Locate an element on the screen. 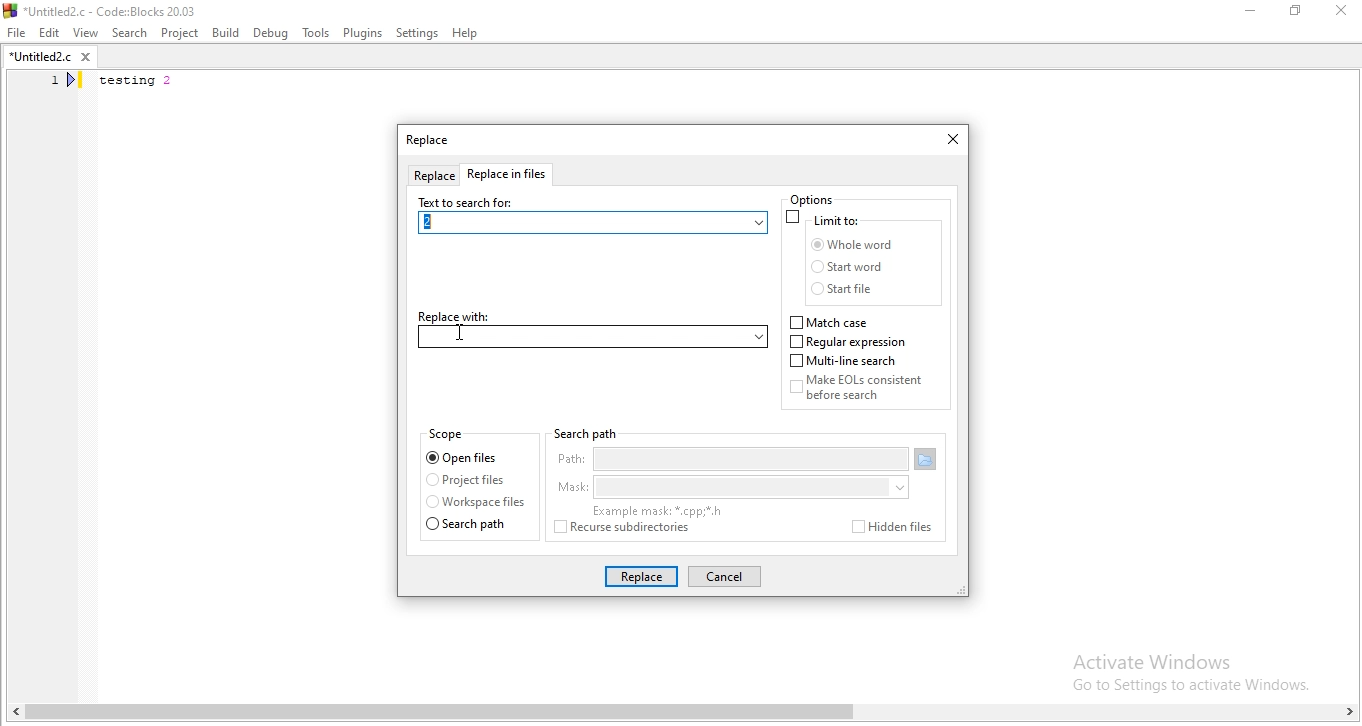 The image size is (1362, 726). Minimise is located at coordinates (1250, 14).